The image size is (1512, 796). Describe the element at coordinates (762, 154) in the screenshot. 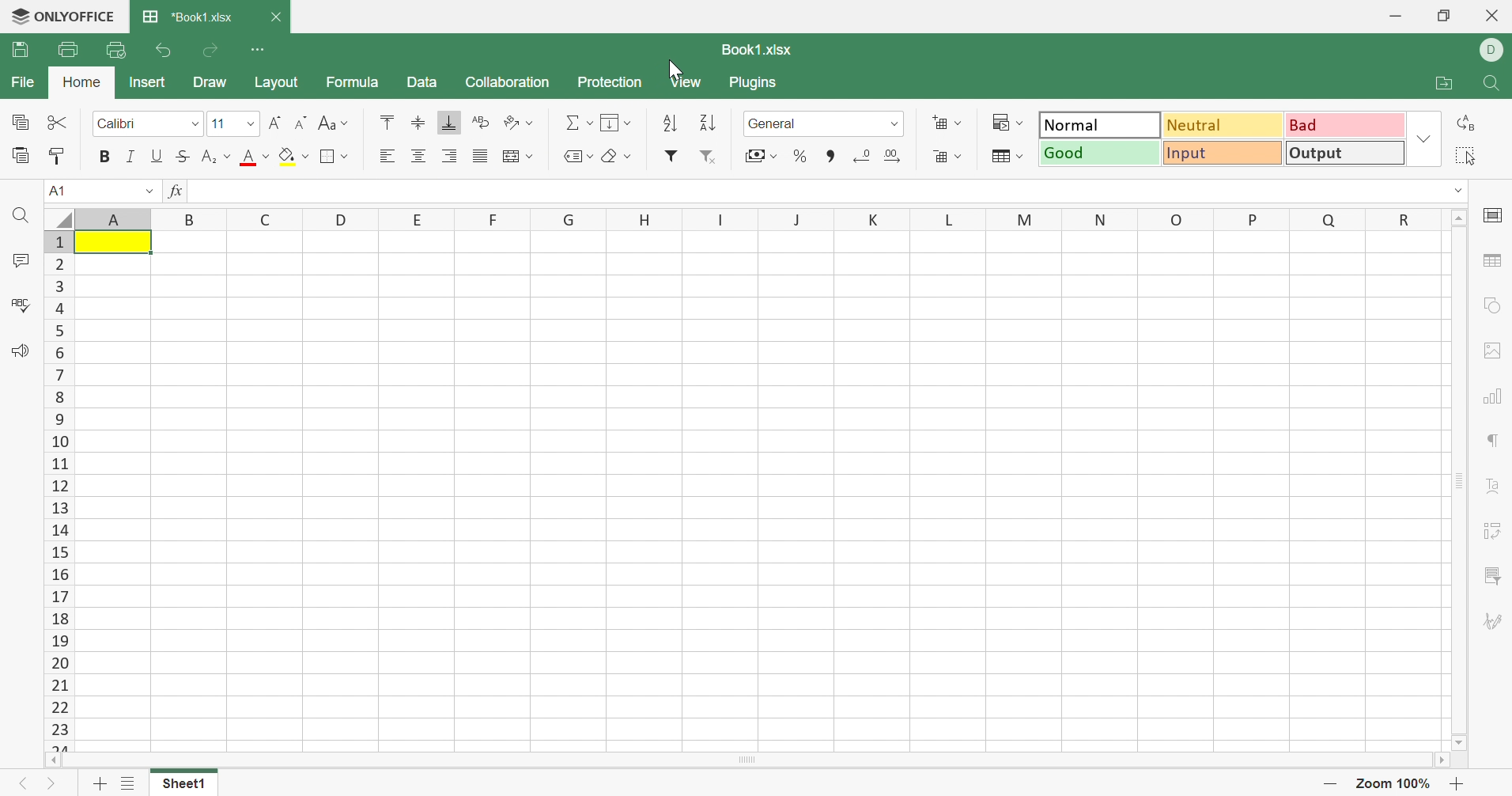

I see `Accounting style` at that location.